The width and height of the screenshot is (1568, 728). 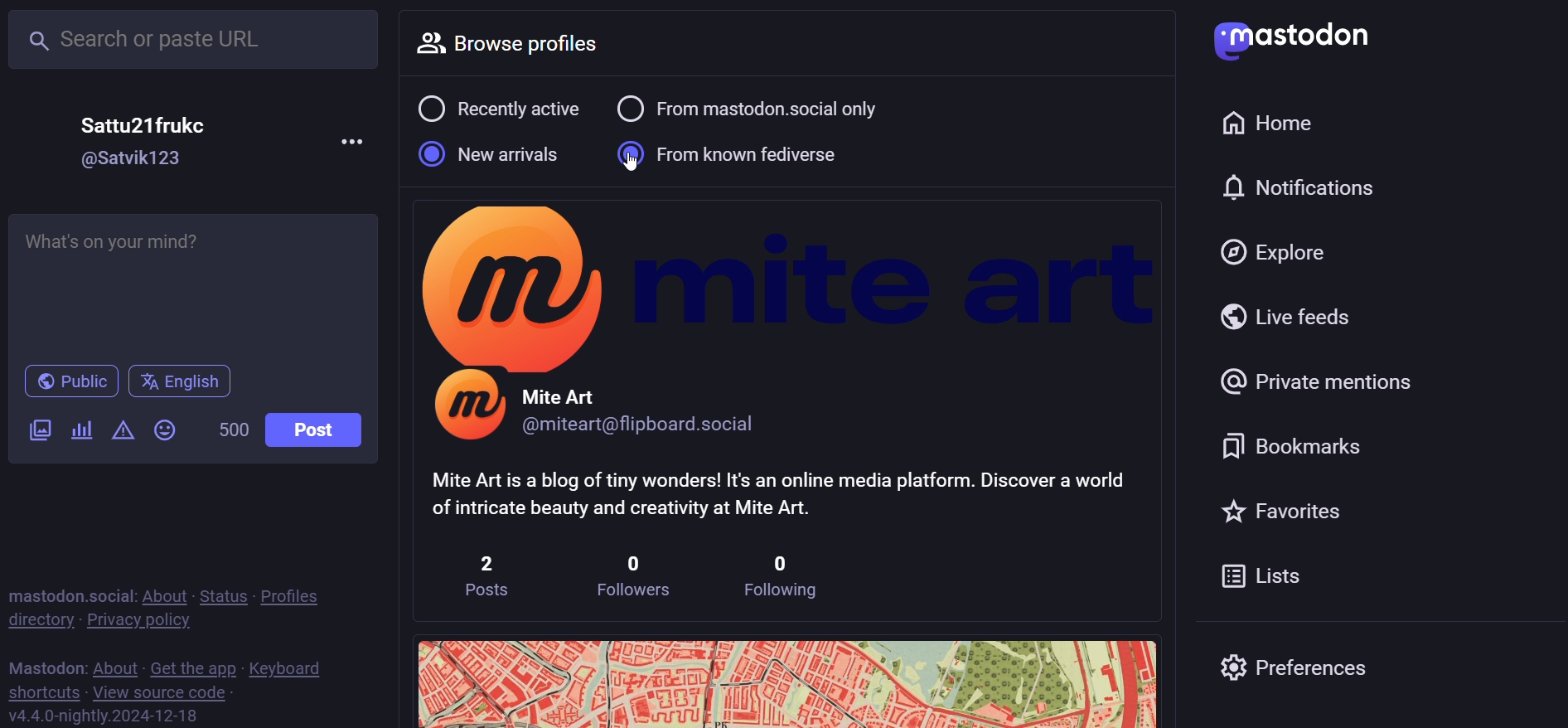 I want to click on mastodon, so click(x=45, y=668).